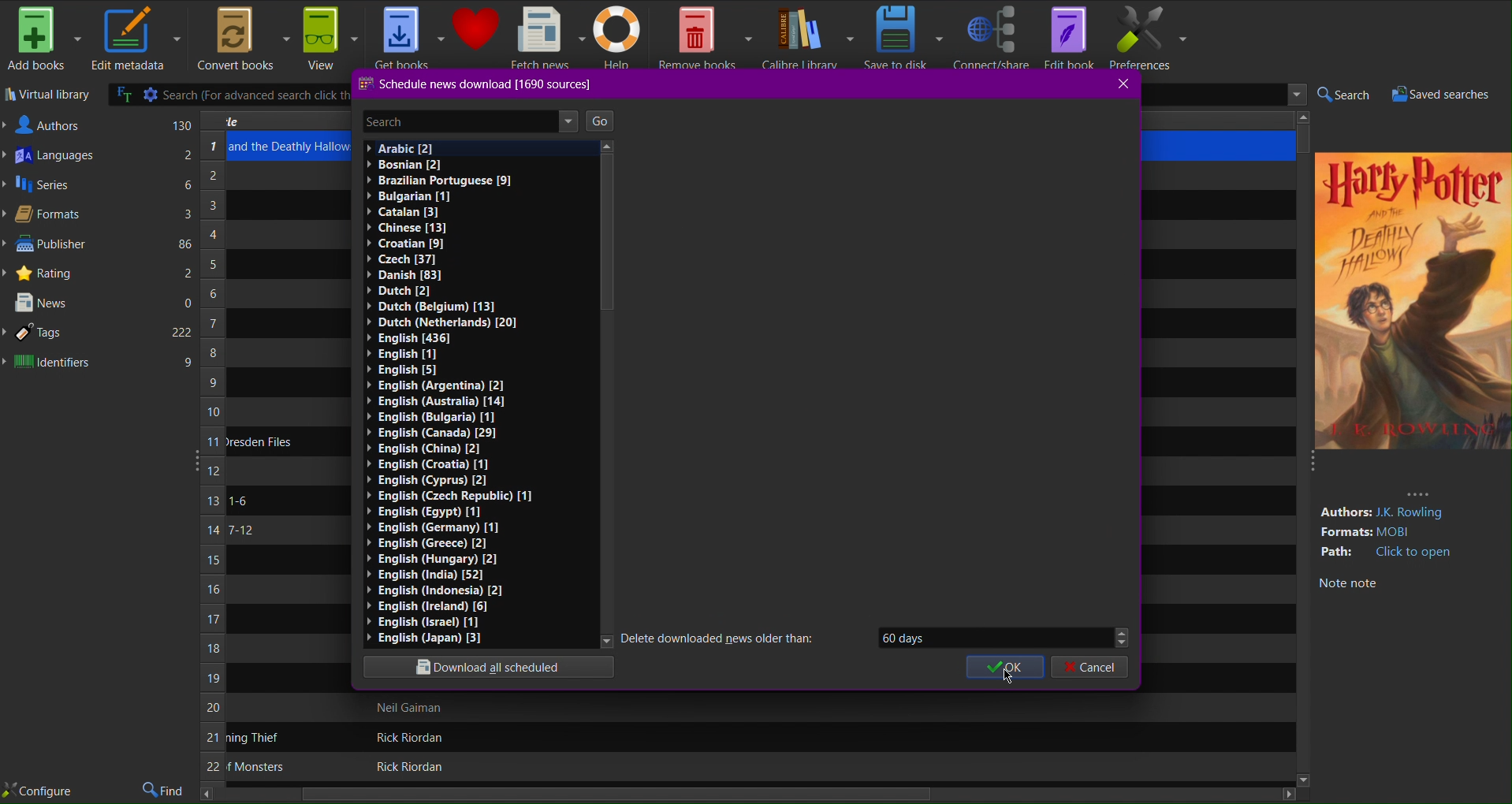  Describe the element at coordinates (431, 434) in the screenshot. I see `English (Canada) [2]` at that location.